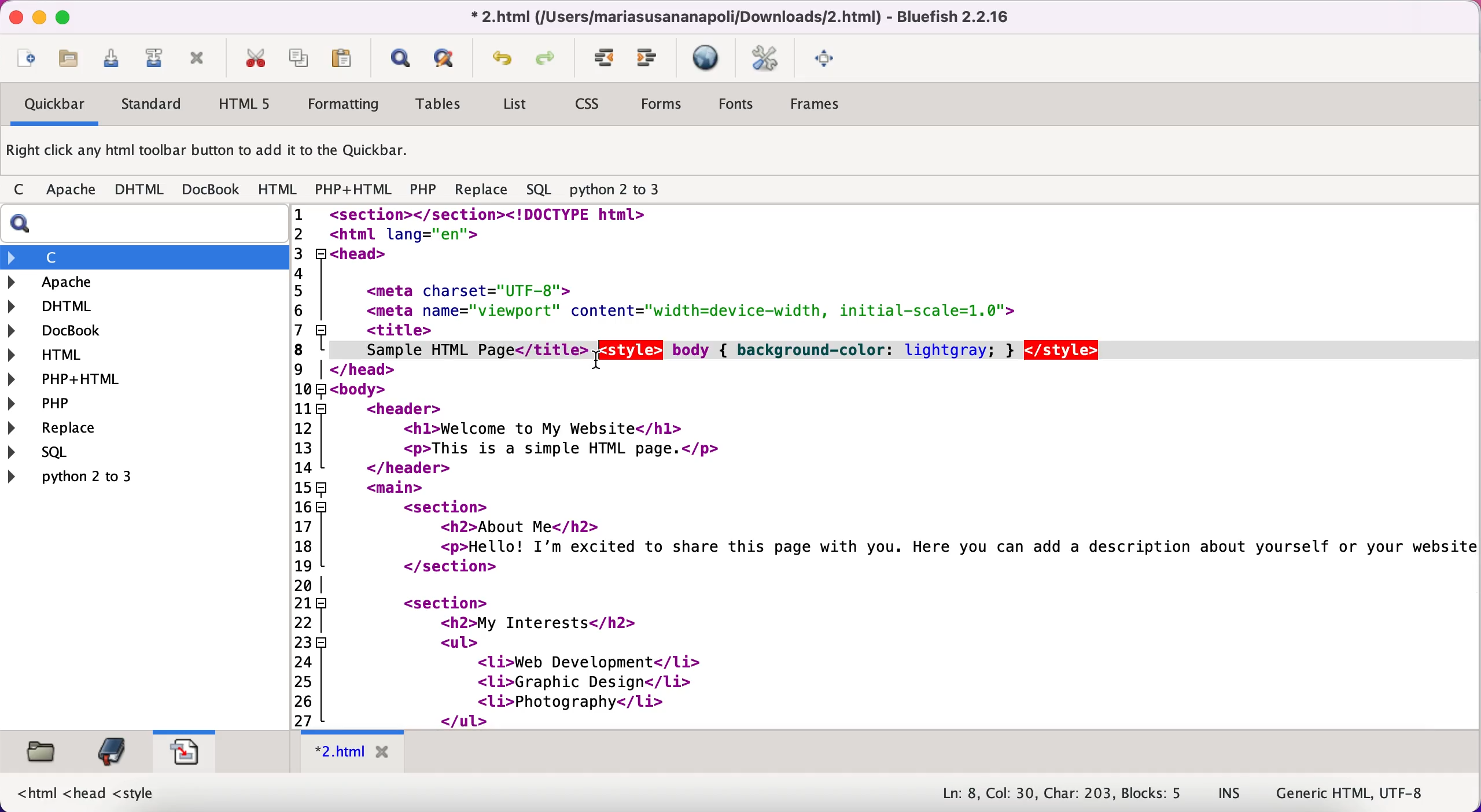  Describe the element at coordinates (58, 357) in the screenshot. I see `html` at that location.